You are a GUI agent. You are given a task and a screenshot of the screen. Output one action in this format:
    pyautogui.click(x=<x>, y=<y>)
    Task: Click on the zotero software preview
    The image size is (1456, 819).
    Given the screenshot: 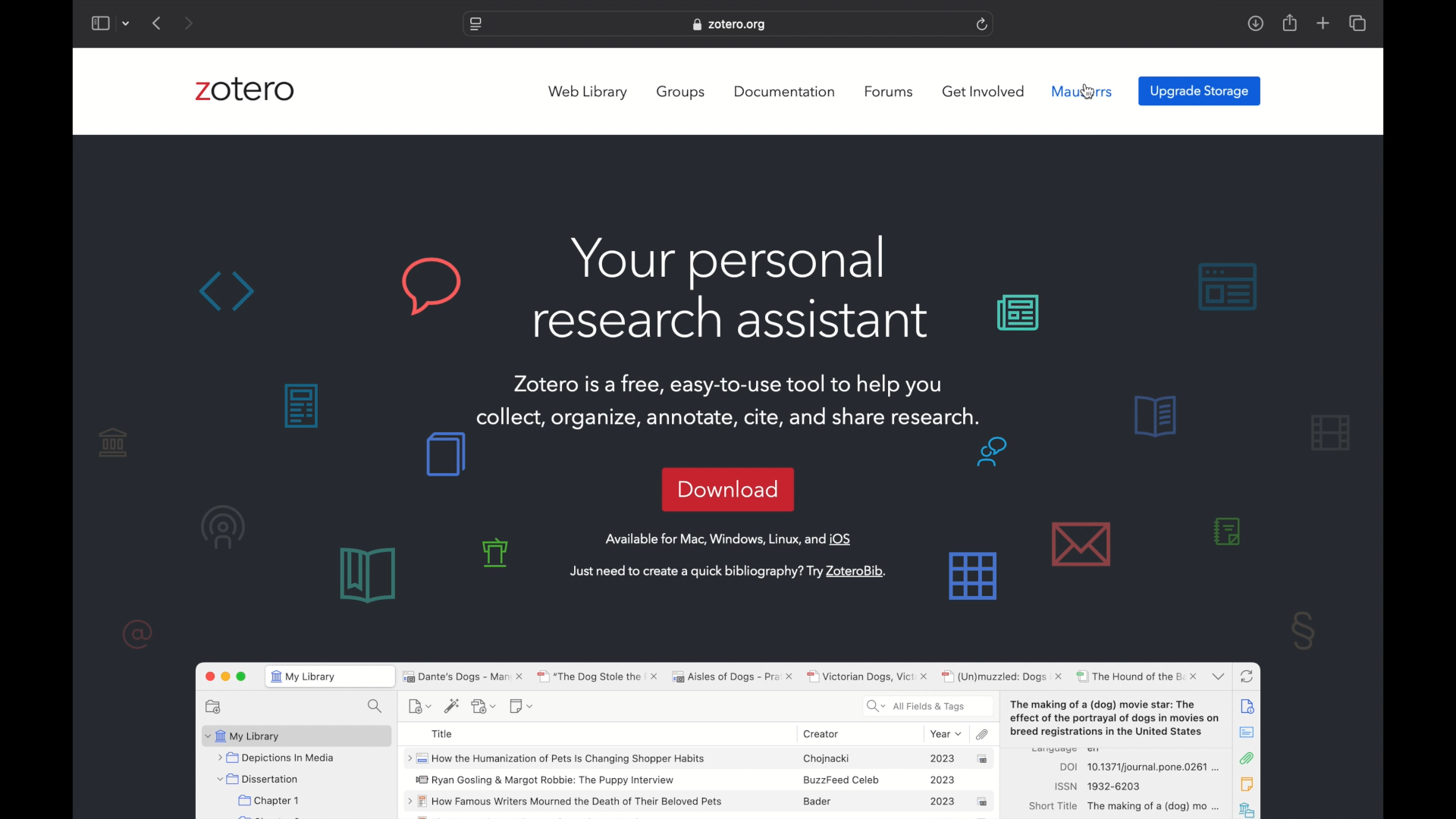 What is the action you would take?
    pyautogui.click(x=727, y=737)
    